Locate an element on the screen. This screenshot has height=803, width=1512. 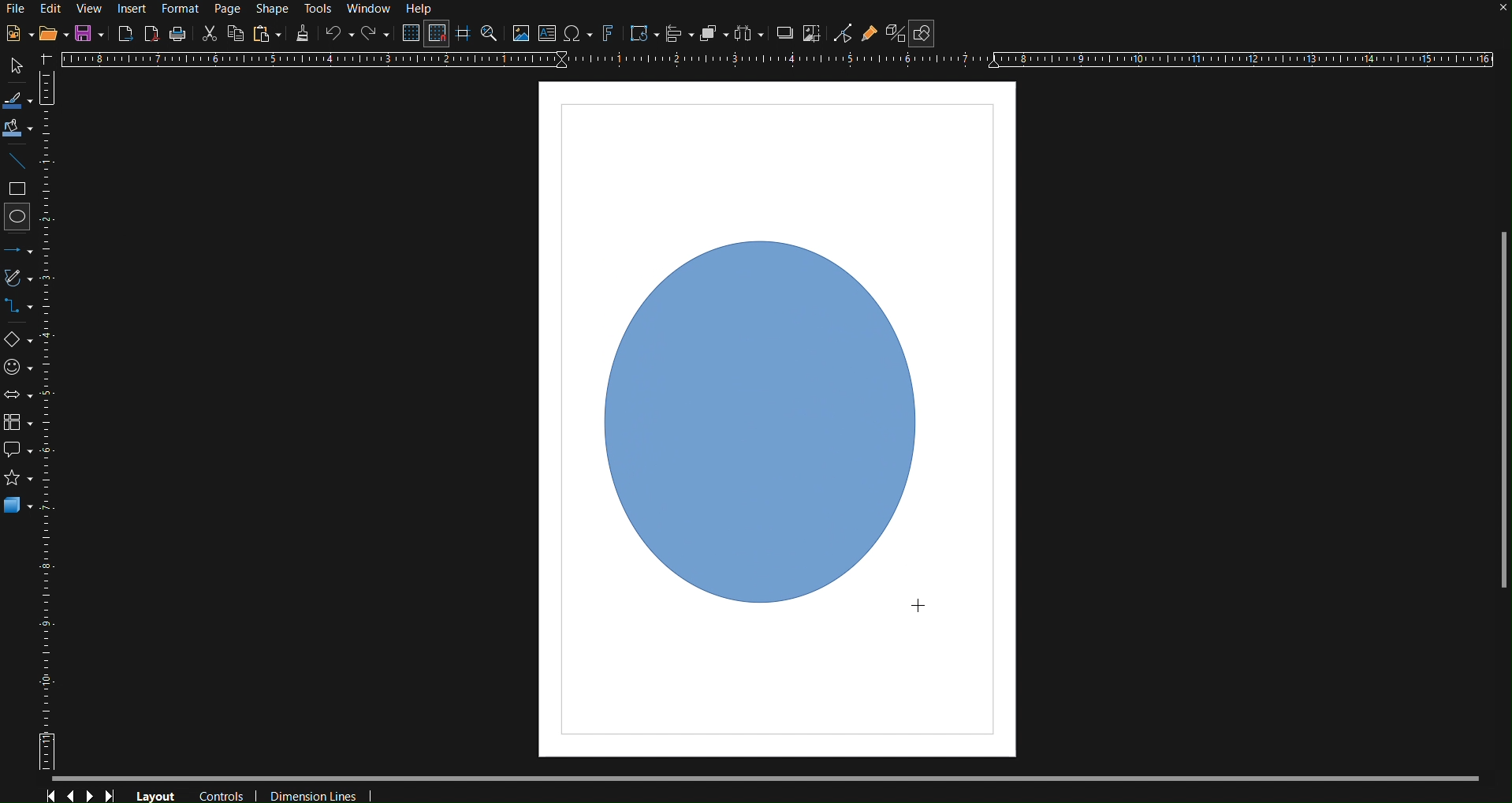
Horizontal Ruler is located at coordinates (776, 60).